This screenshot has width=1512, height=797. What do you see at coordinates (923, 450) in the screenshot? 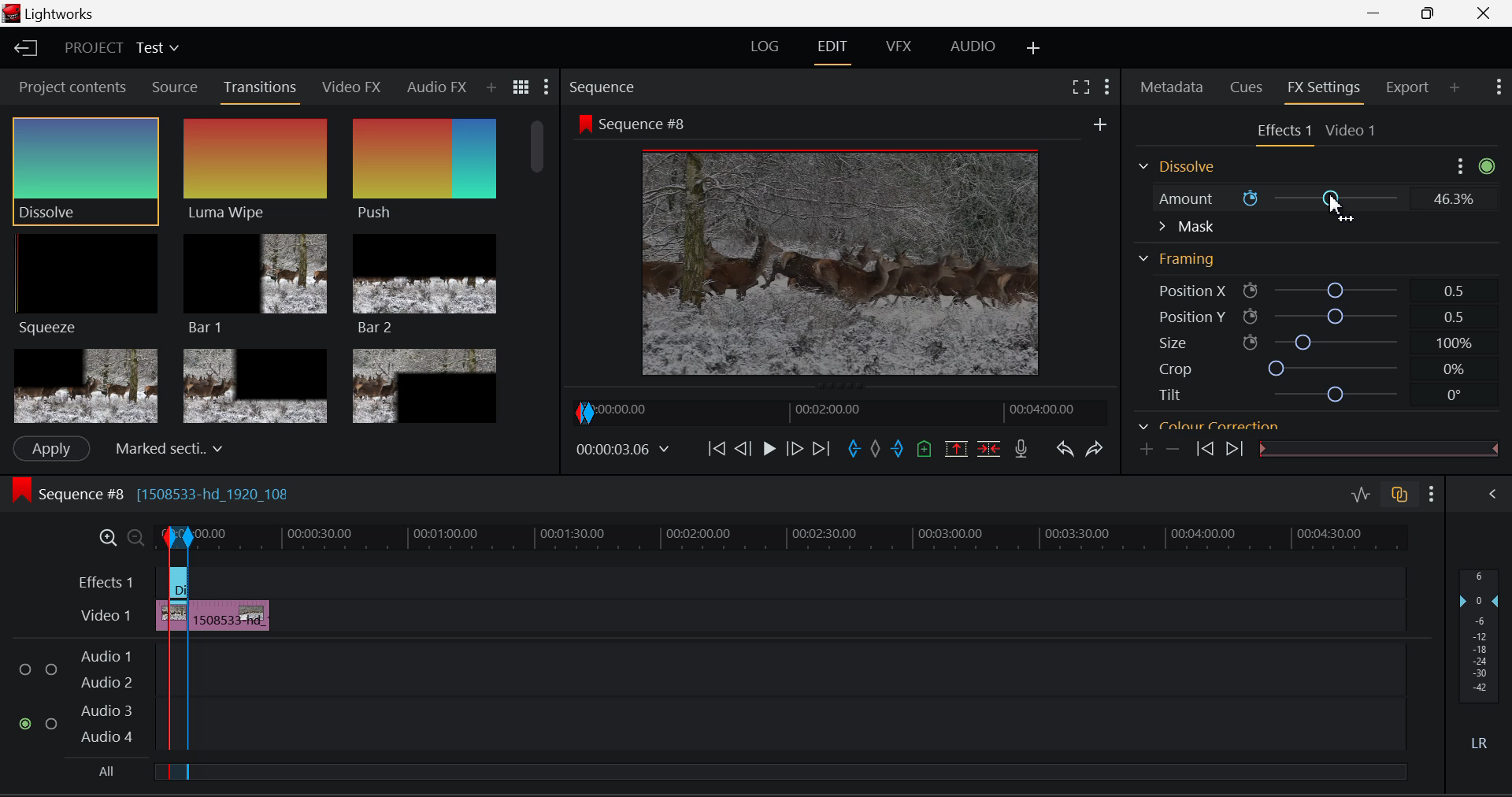
I see `Mark Cue` at bounding box center [923, 450].